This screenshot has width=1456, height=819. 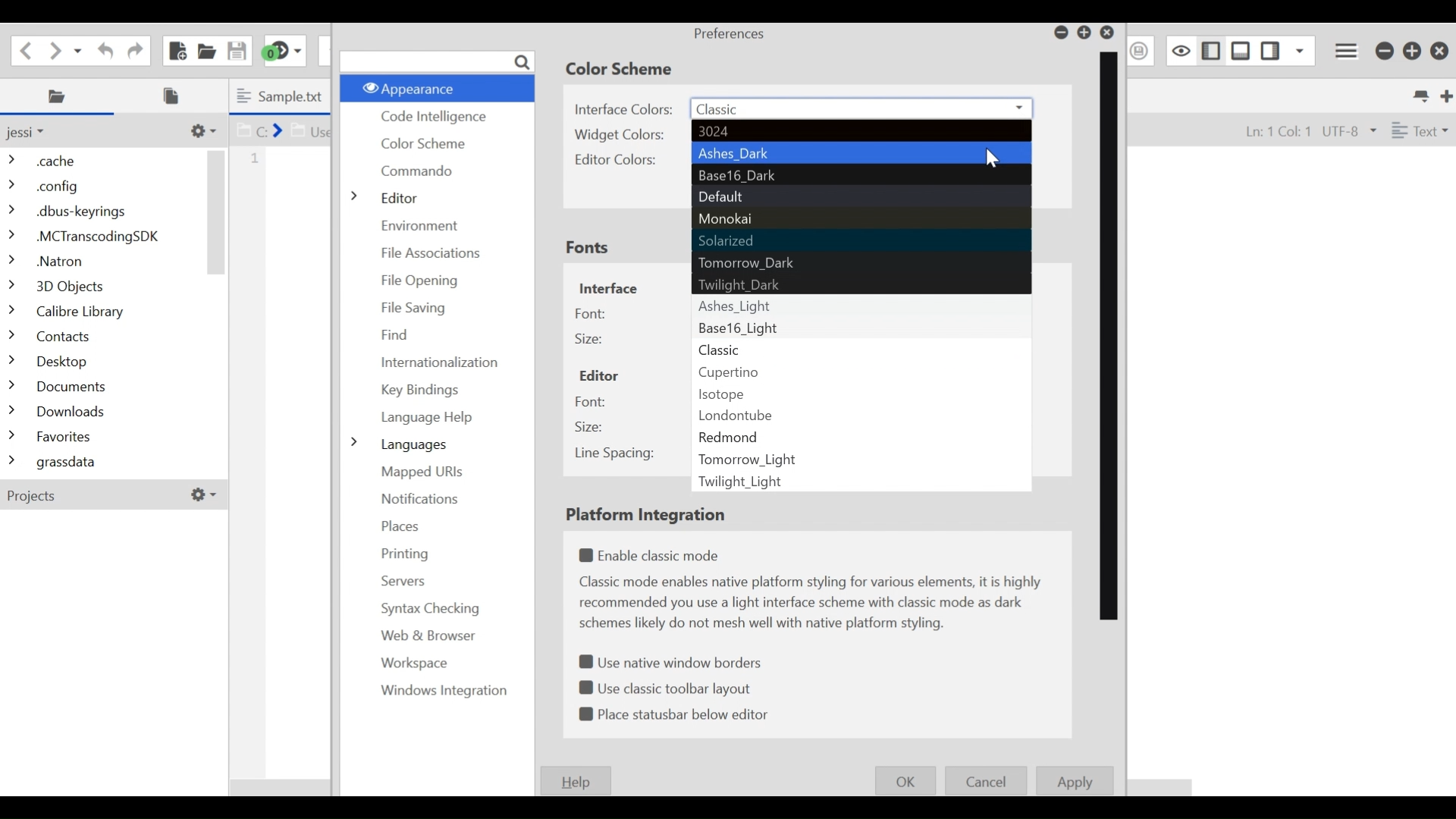 I want to click on ashes light, so click(x=863, y=306).